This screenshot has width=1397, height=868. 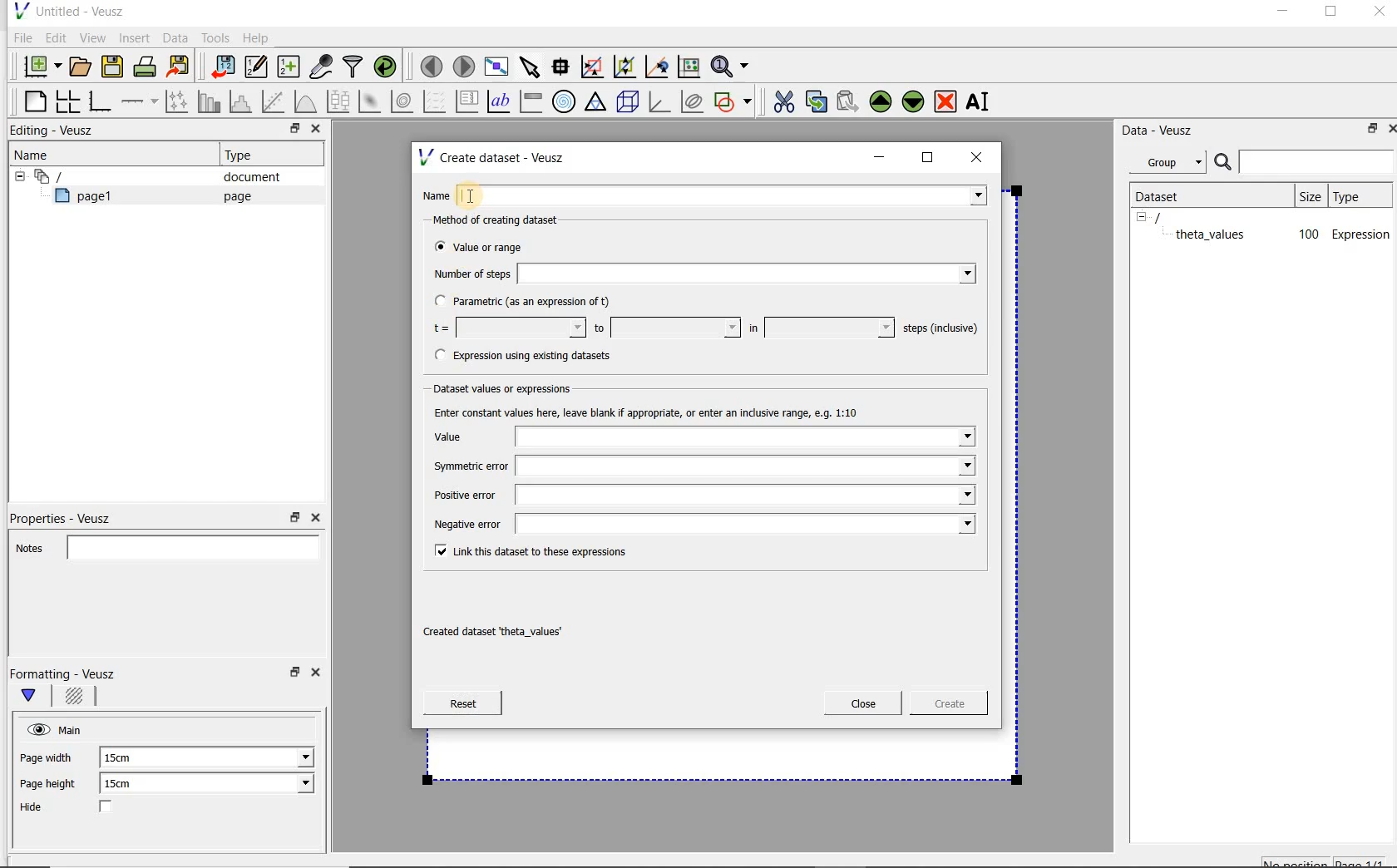 I want to click on Edit and enter new datasets, so click(x=257, y=67).